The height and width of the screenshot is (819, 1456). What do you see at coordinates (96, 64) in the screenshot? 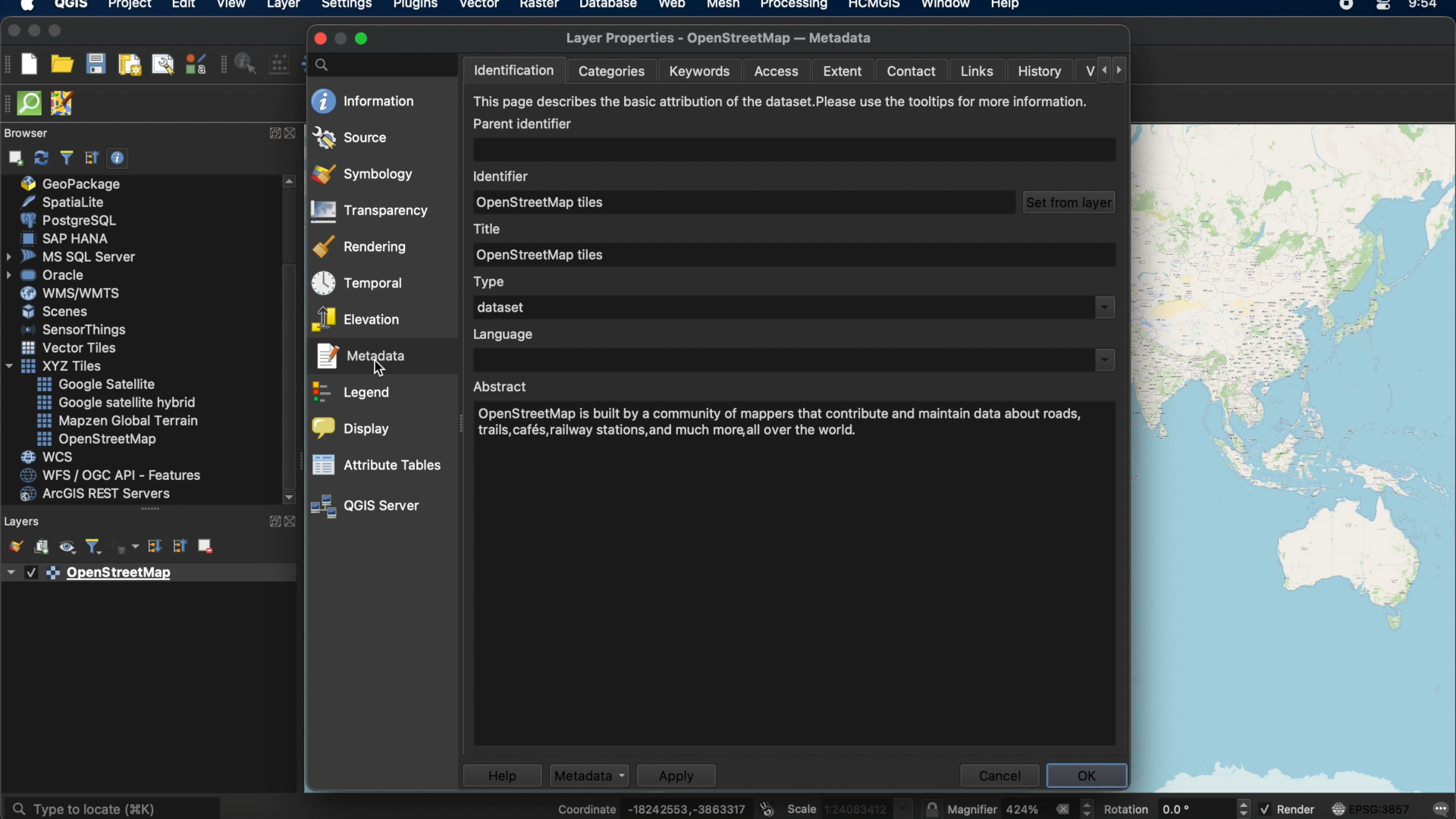
I see `save project` at bounding box center [96, 64].